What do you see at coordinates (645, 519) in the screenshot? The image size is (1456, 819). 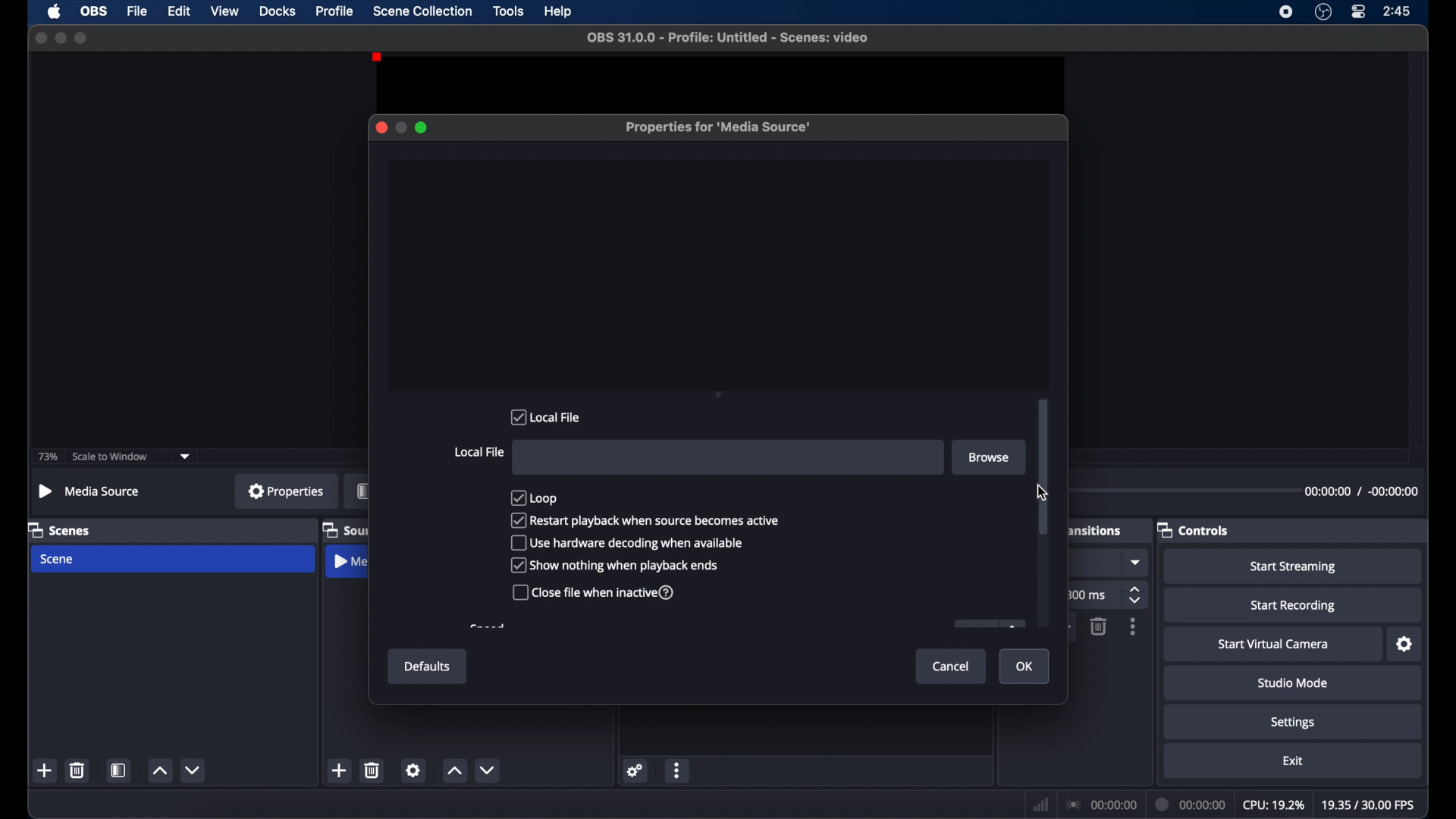 I see `checkbox` at bounding box center [645, 519].